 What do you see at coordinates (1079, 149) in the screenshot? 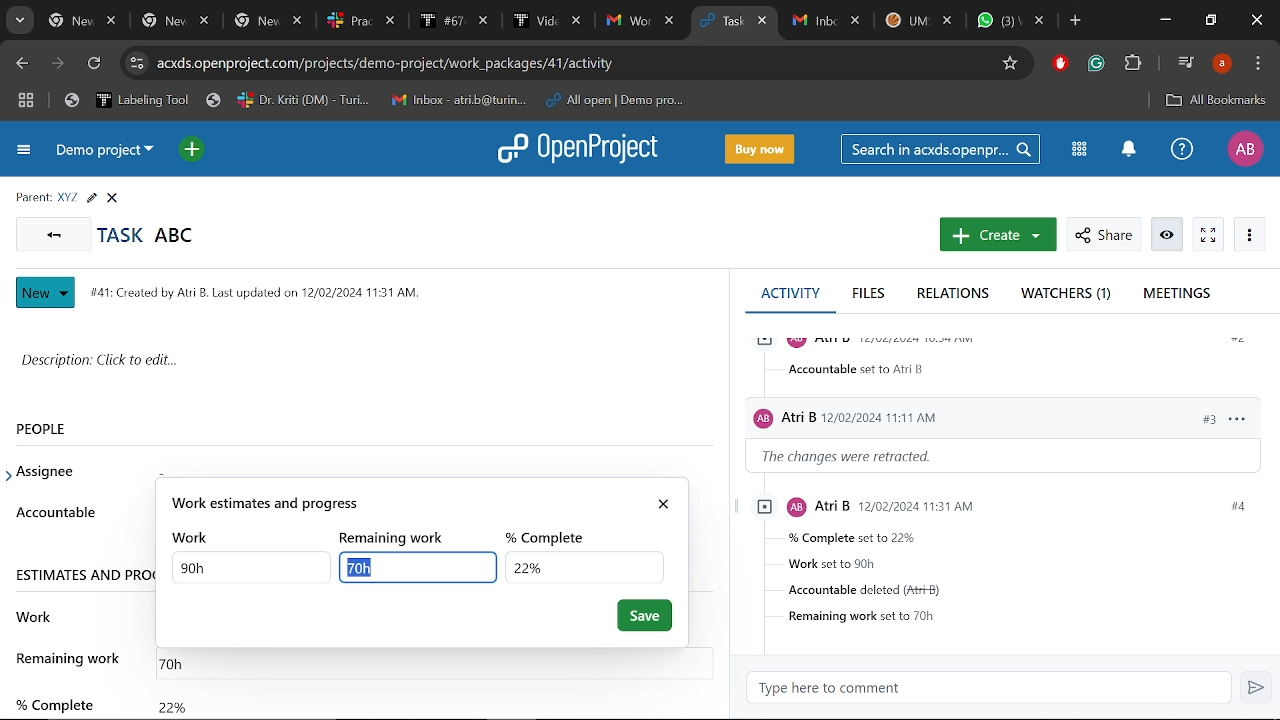
I see `Modules` at bounding box center [1079, 149].